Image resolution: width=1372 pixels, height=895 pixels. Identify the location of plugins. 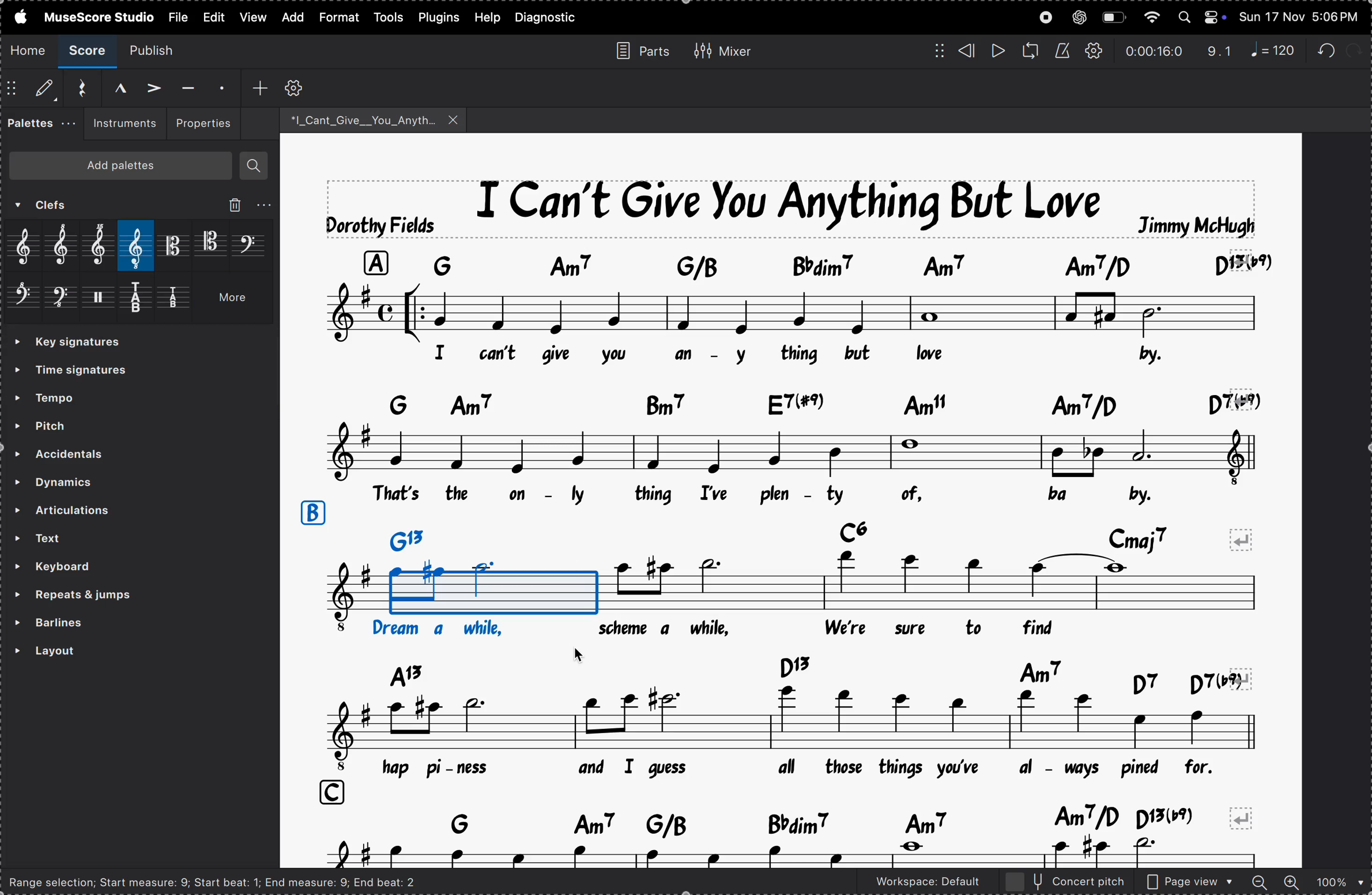
(439, 17).